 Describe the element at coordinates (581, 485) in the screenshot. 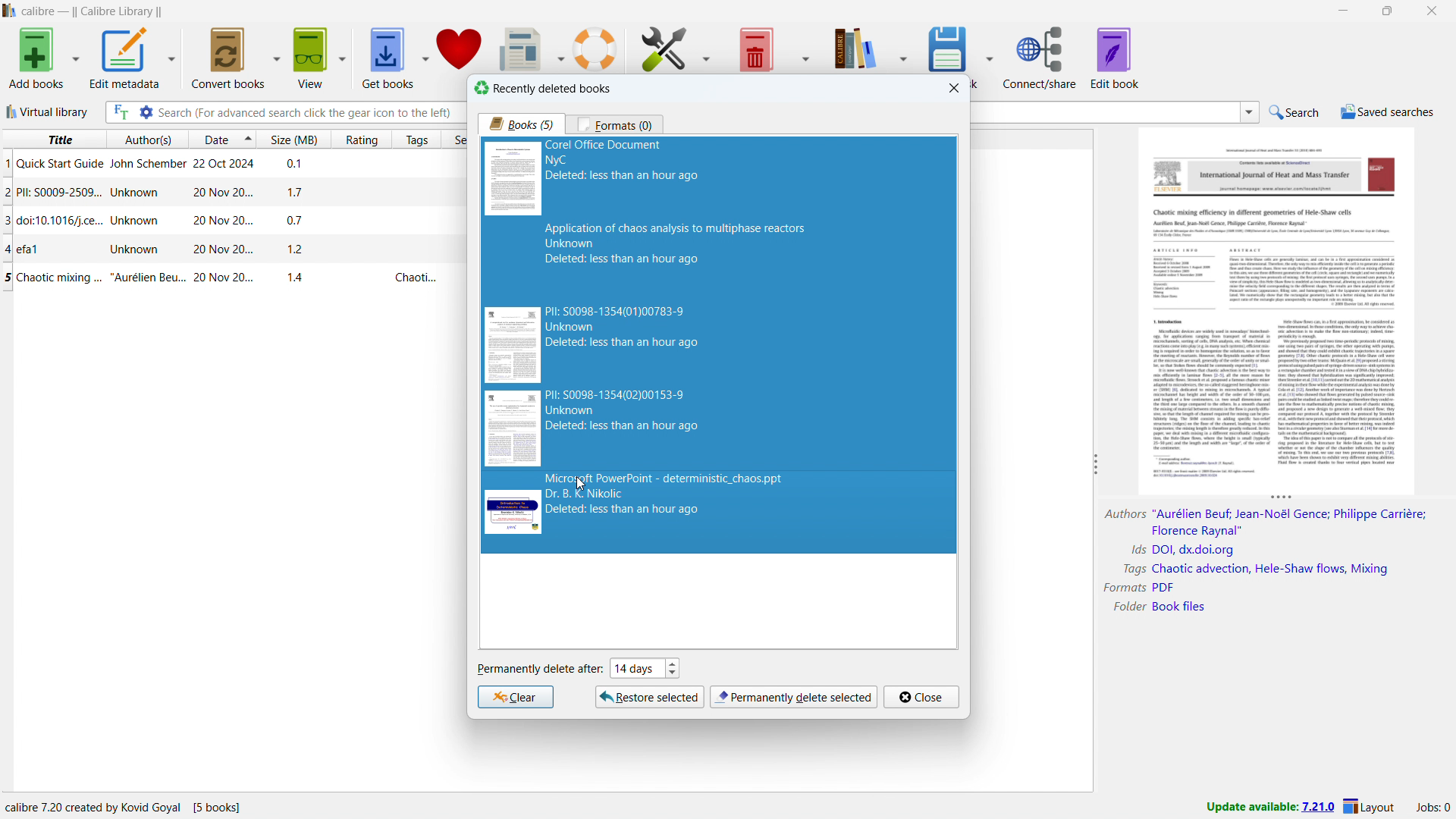

I see `cursor` at that location.